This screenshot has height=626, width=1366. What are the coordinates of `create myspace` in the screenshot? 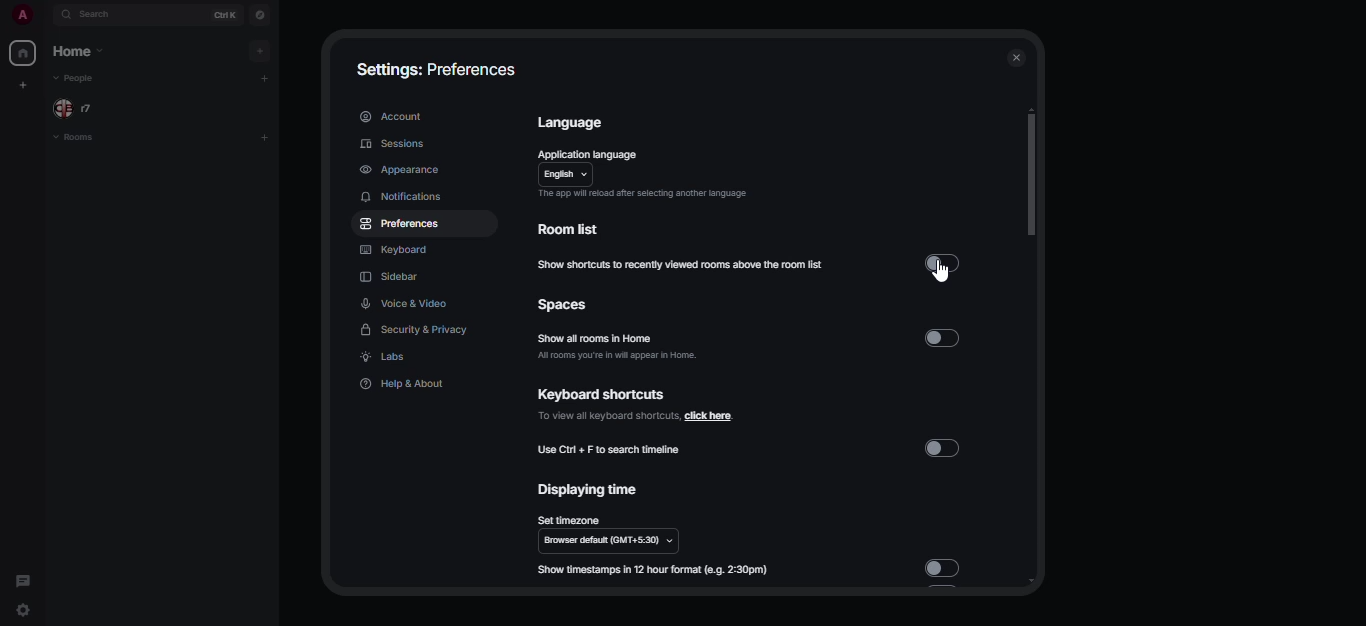 It's located at (22, 83).